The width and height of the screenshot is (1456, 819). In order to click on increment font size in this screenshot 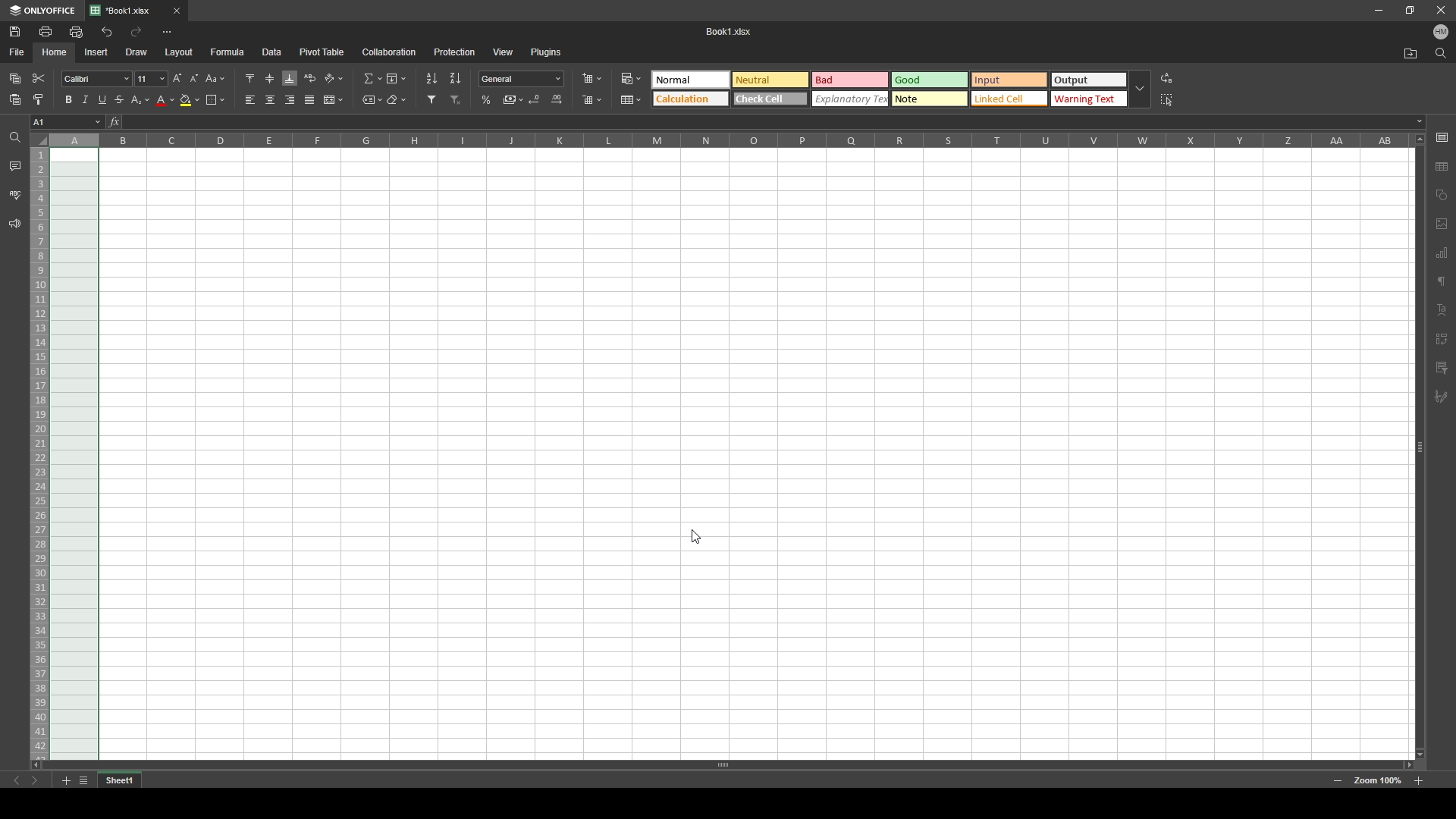, I will do `click(176, 78)`.